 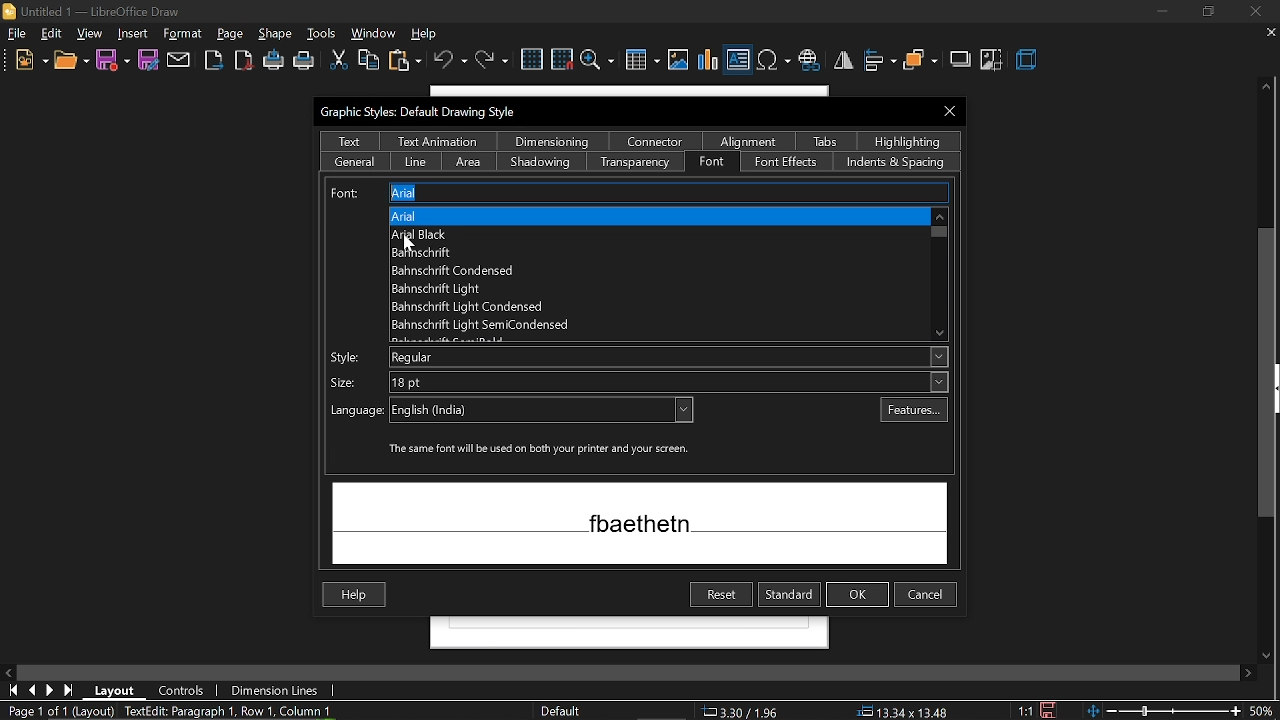 I want to click on connector, so click(x=654, y=141).